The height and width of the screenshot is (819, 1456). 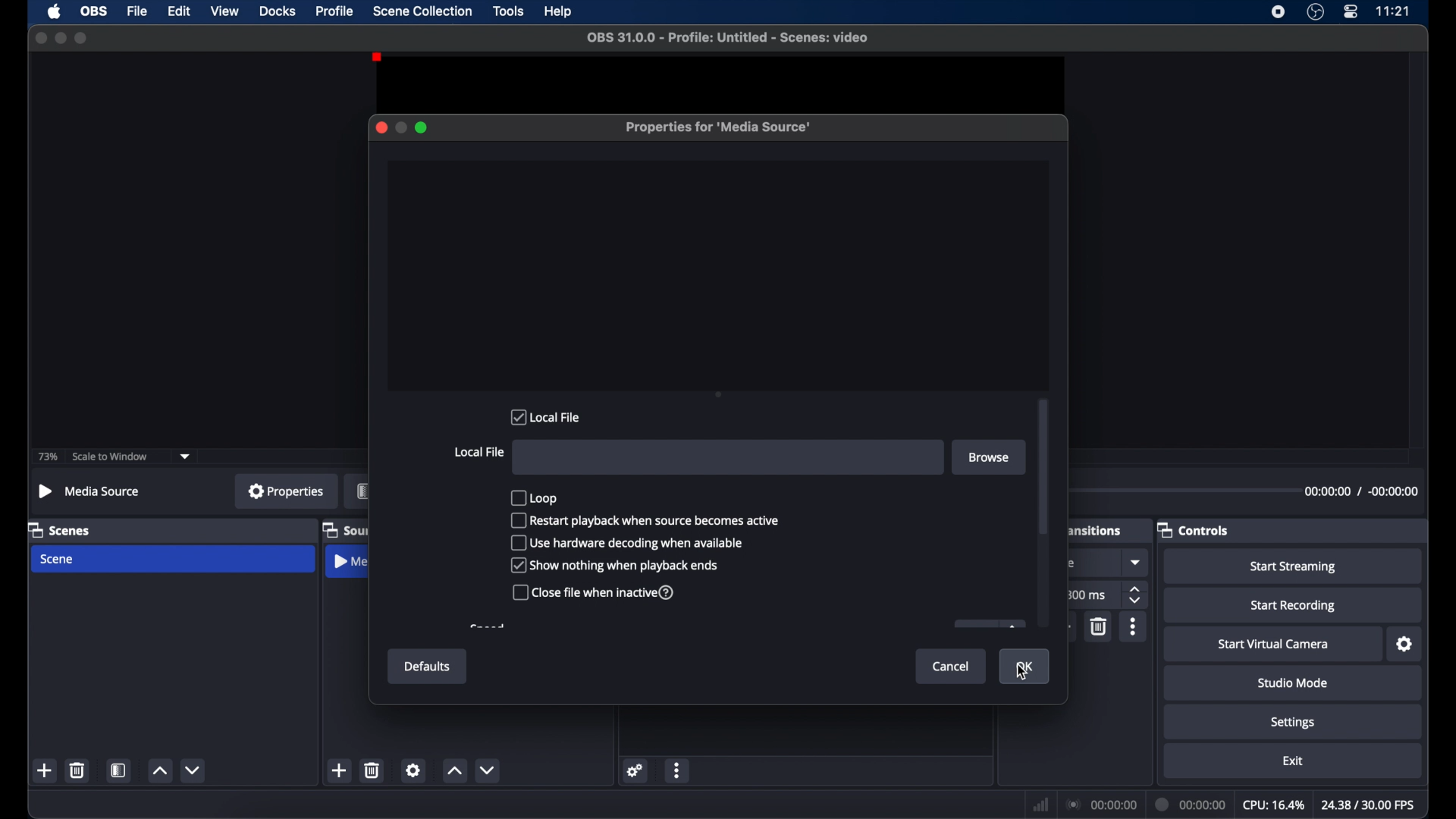 What do you see at coordinates (1103, 805) in the screenshot?
I see `connection` at bounding box center [1103, 805].